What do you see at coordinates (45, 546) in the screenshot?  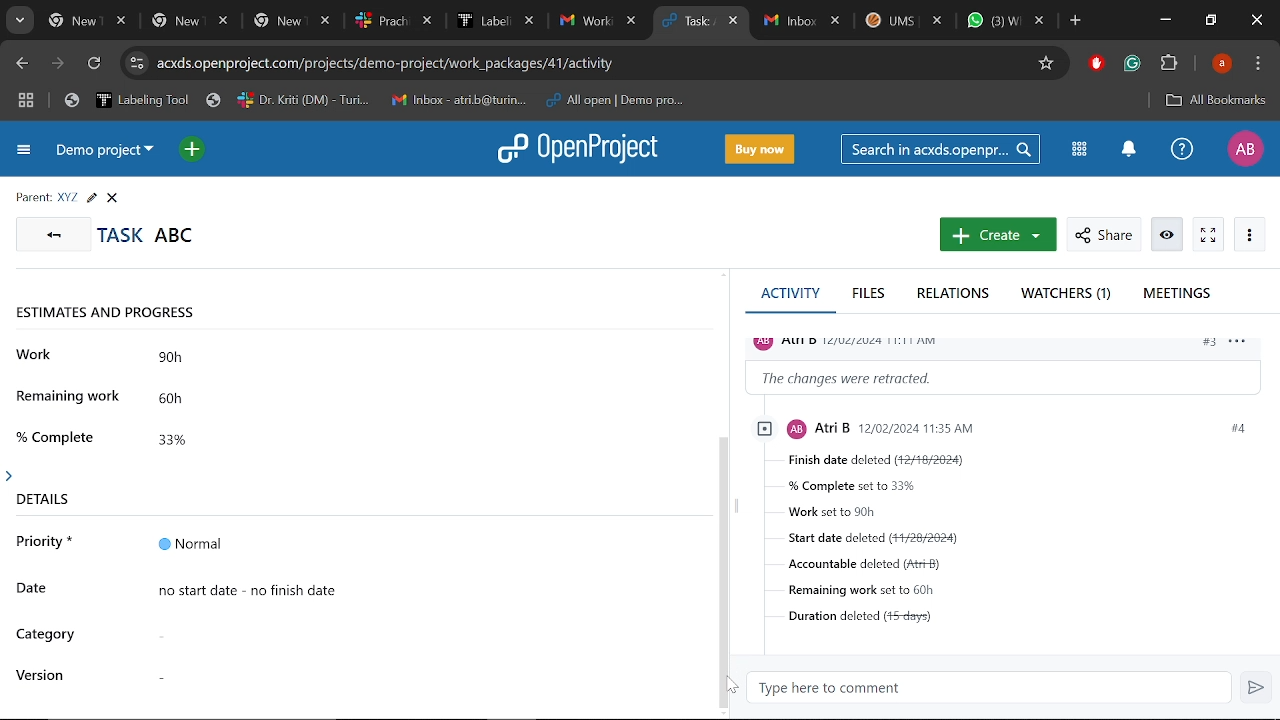 I see `priority` at bounding box center [45, 546].